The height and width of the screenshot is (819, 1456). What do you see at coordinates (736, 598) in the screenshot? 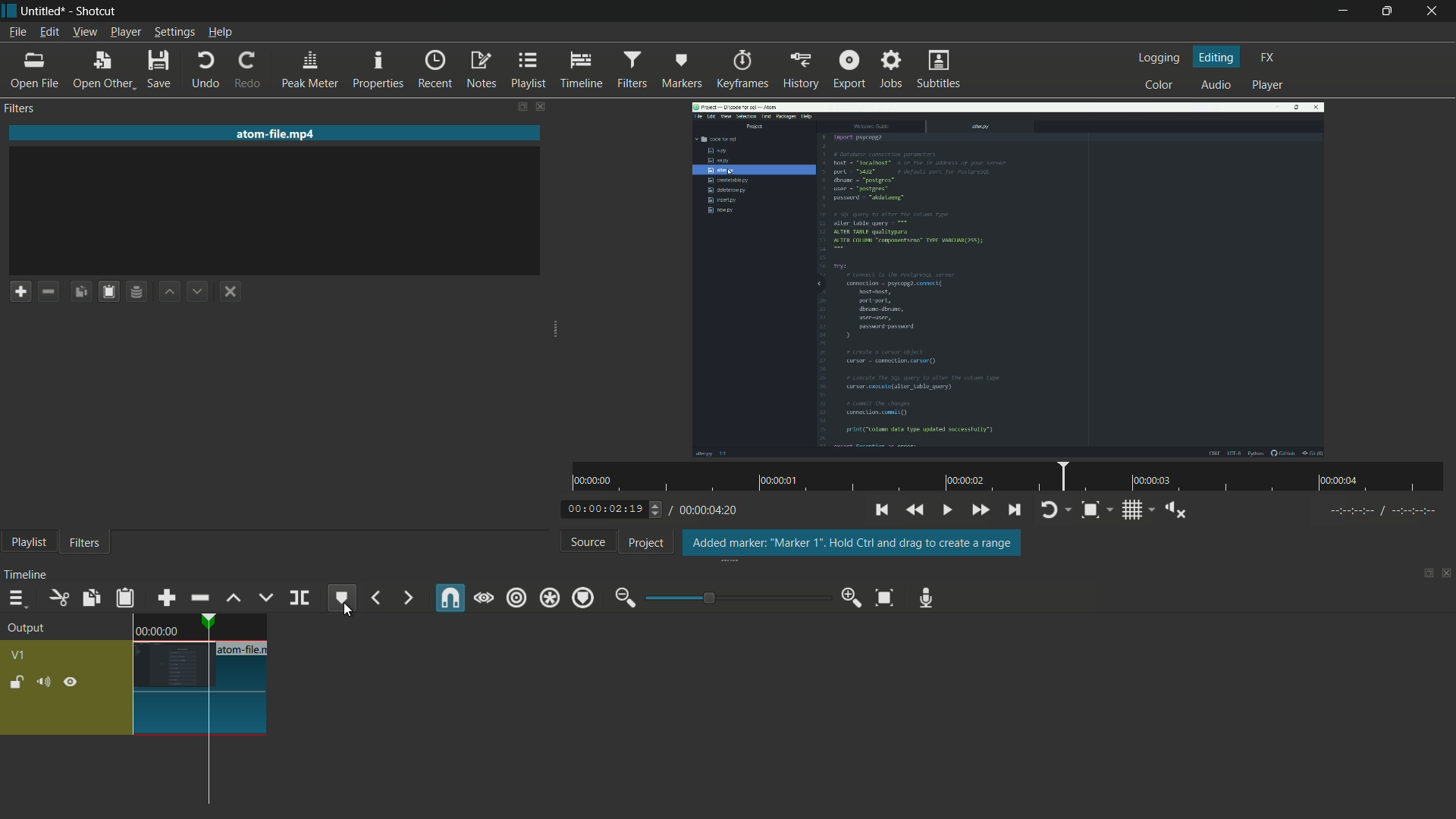
I see `zoom adjustment bar` at bounding box center [736, 598].